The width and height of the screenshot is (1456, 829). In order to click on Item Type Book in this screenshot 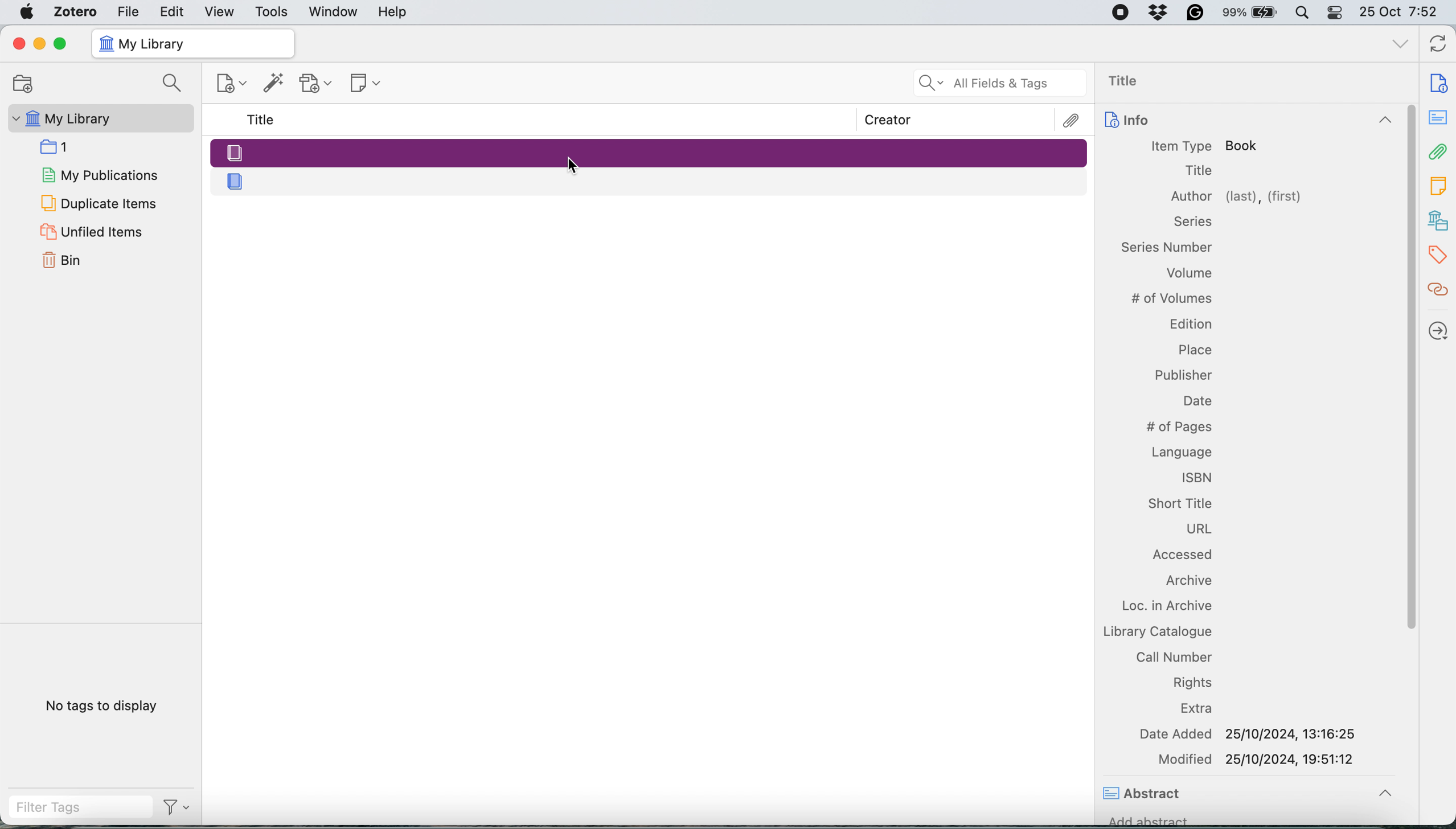, I will do `click(1205, 146)`.